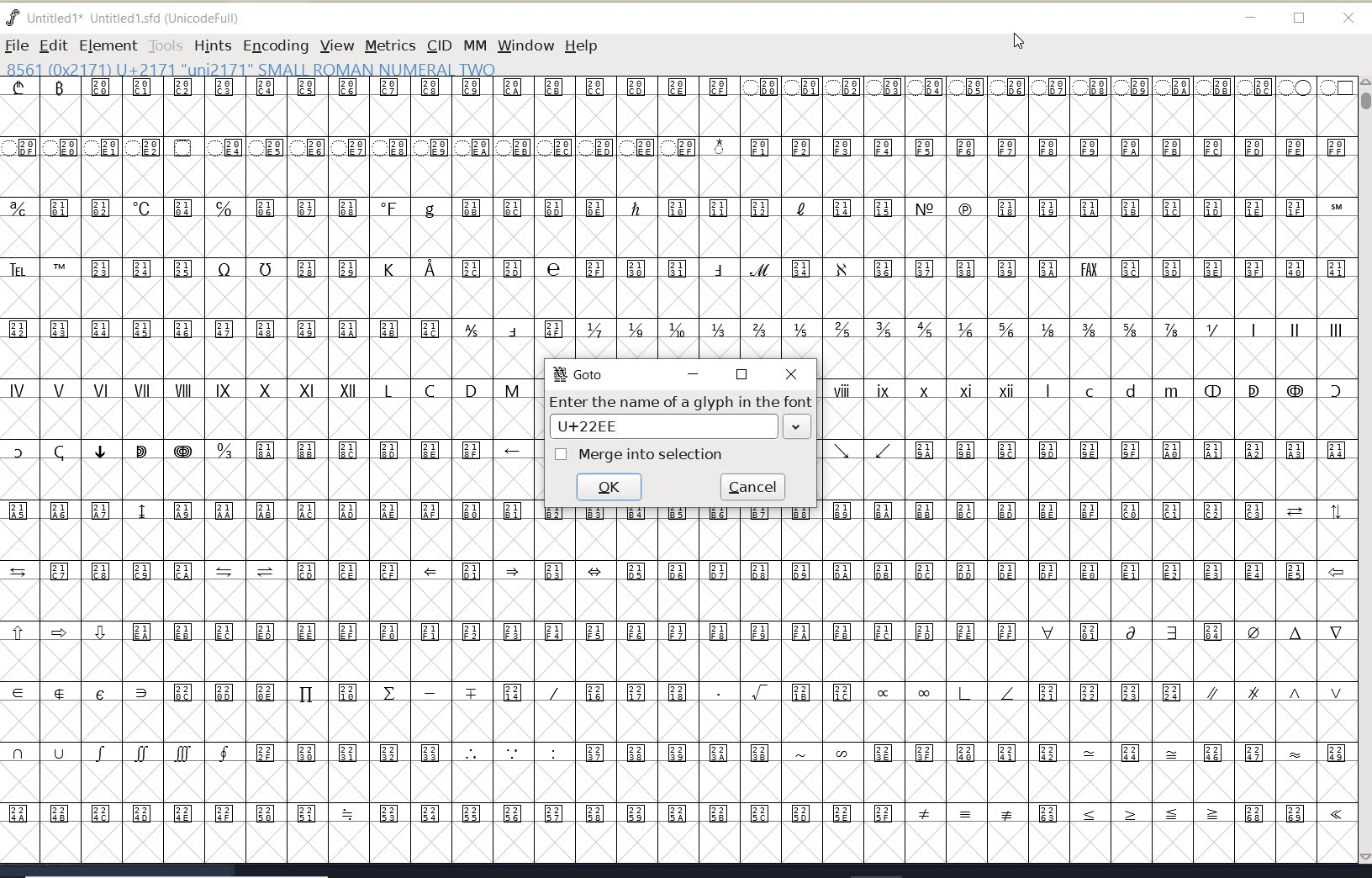 The width and height of the screenshot is (1372, 878). What do you see at coordinates (473, 43) in the screenshot?
I see `mm` at bounding box center [473, 43].